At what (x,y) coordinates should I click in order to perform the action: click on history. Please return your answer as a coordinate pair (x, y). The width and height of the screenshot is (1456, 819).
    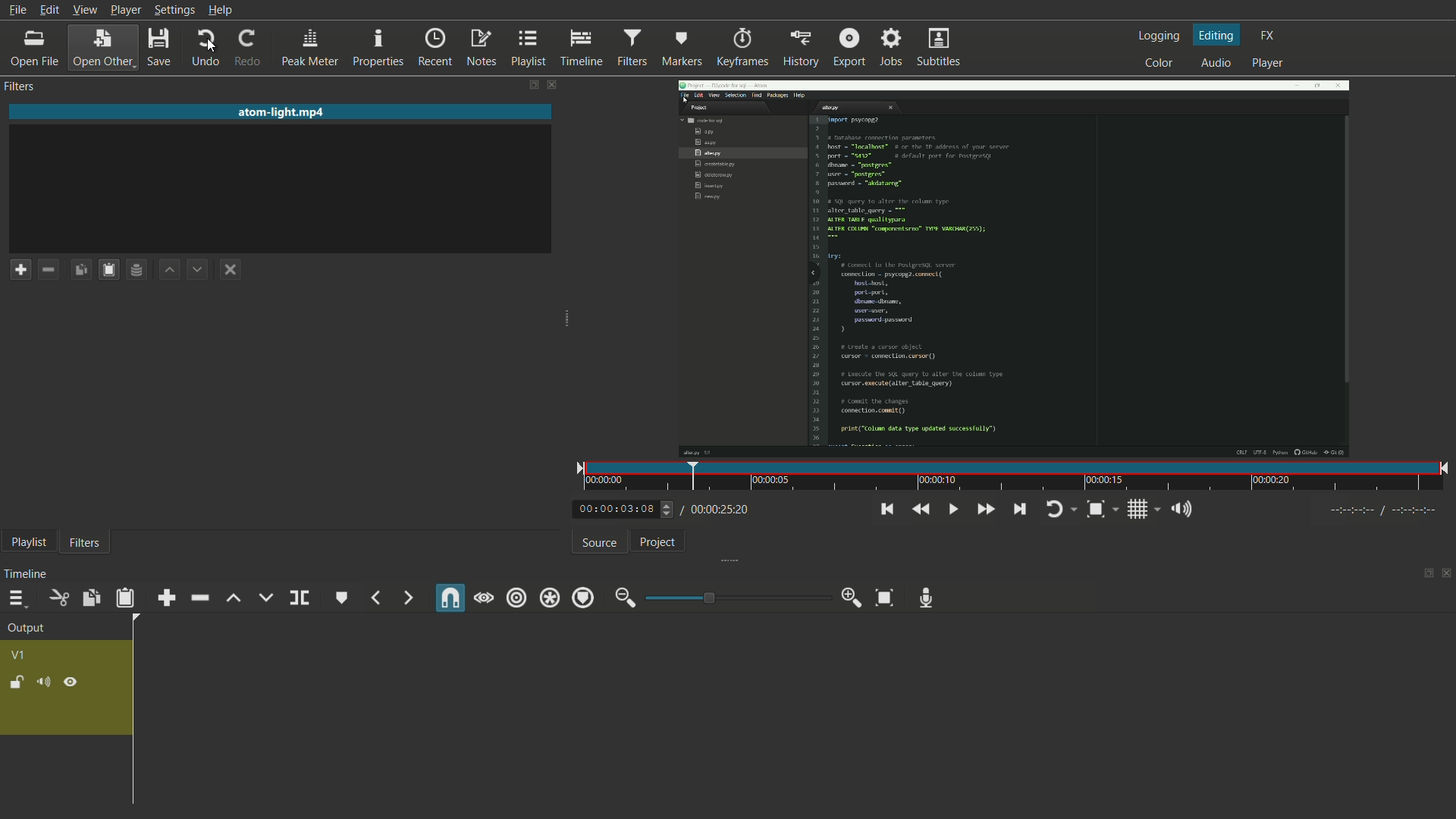
    Looking at the image, I should click on (799, 45).